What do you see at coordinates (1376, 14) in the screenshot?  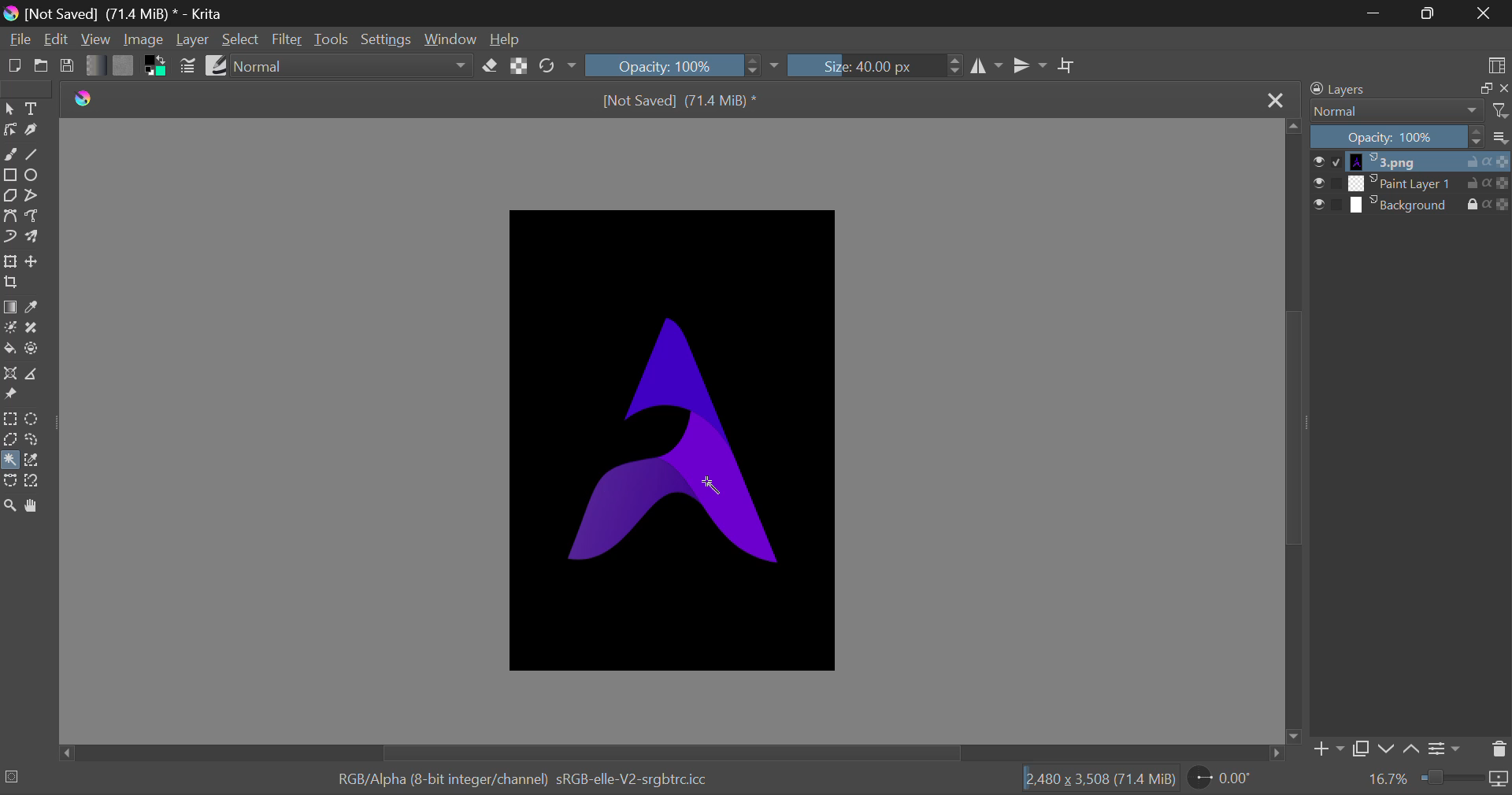 I see `Restore Down` at bounding box center [1376, 14].